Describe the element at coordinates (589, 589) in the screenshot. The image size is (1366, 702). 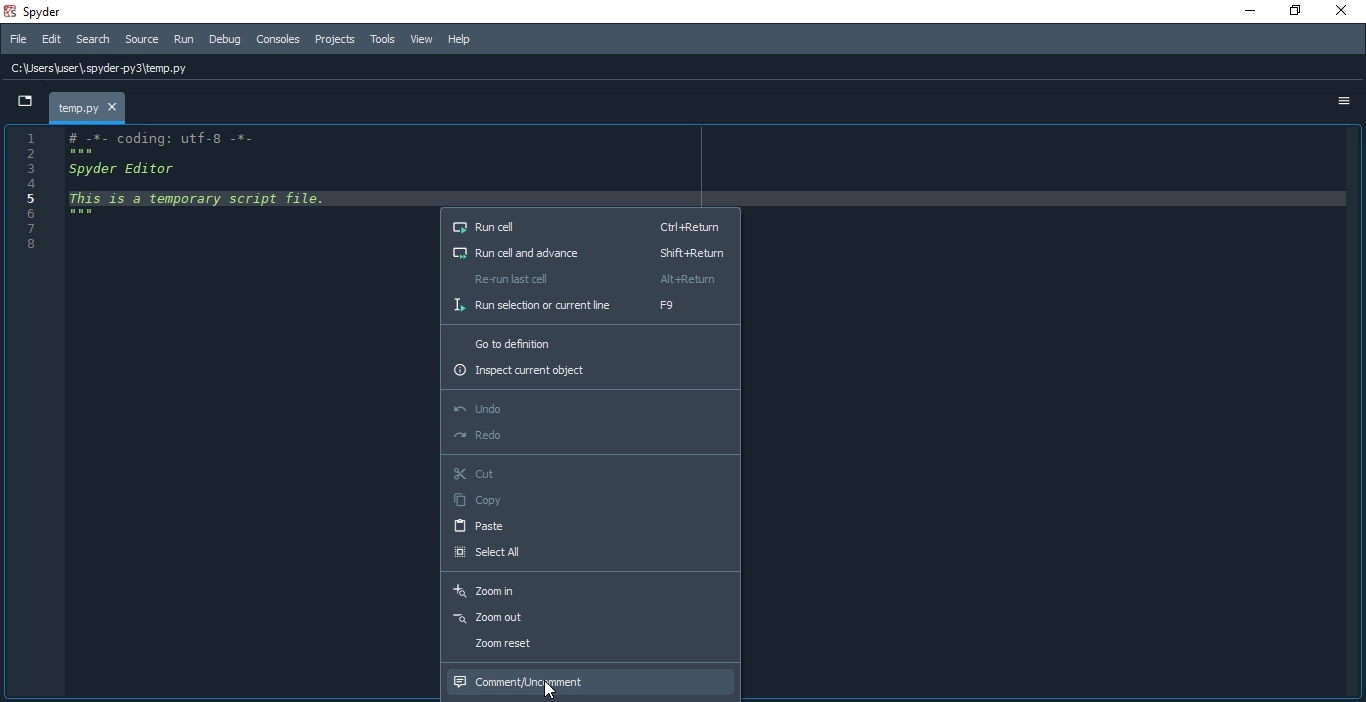
I see `Zoom in` at that location.